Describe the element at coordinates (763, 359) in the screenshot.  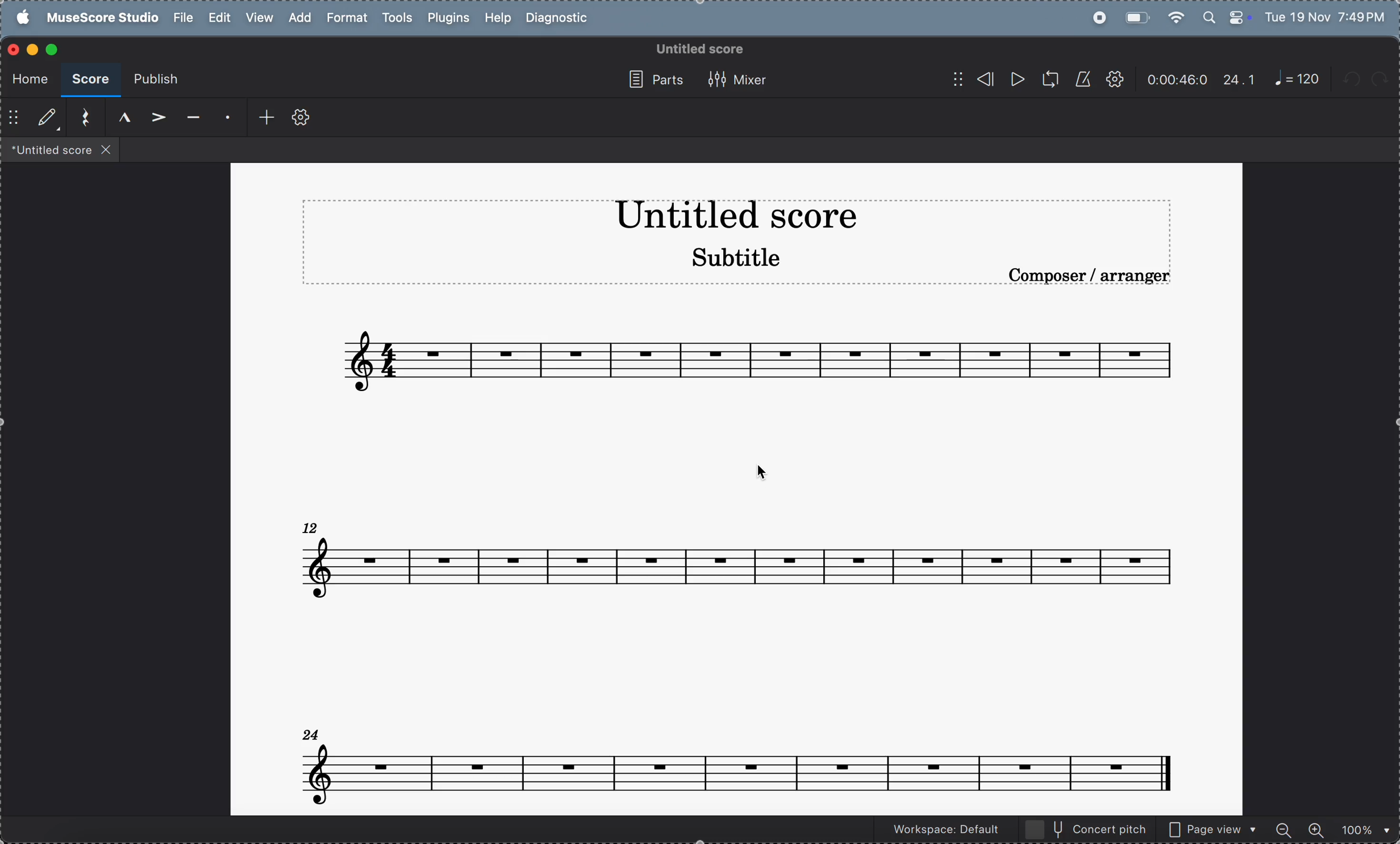
I see `notes` at that location.